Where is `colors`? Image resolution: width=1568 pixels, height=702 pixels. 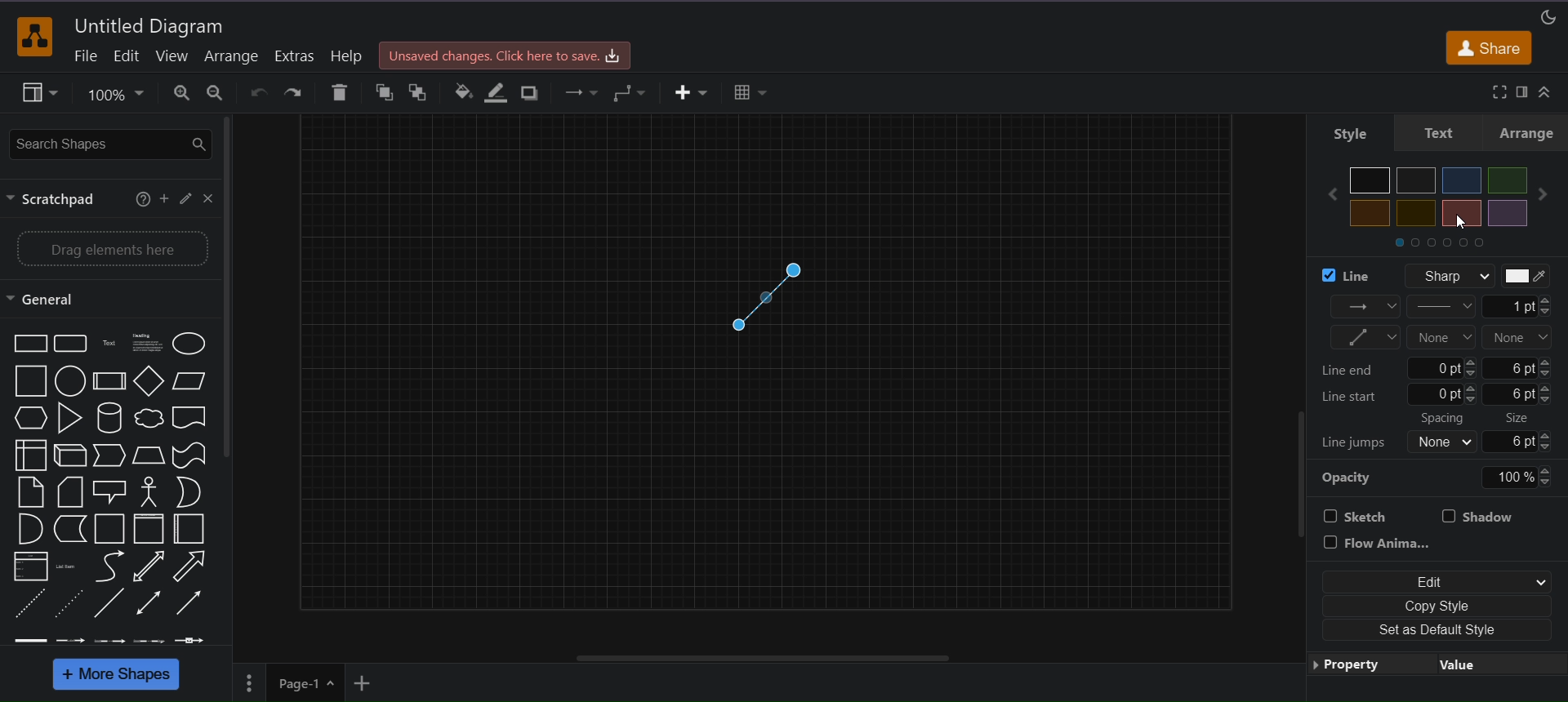
colors is located at coordinates (1432, 210).